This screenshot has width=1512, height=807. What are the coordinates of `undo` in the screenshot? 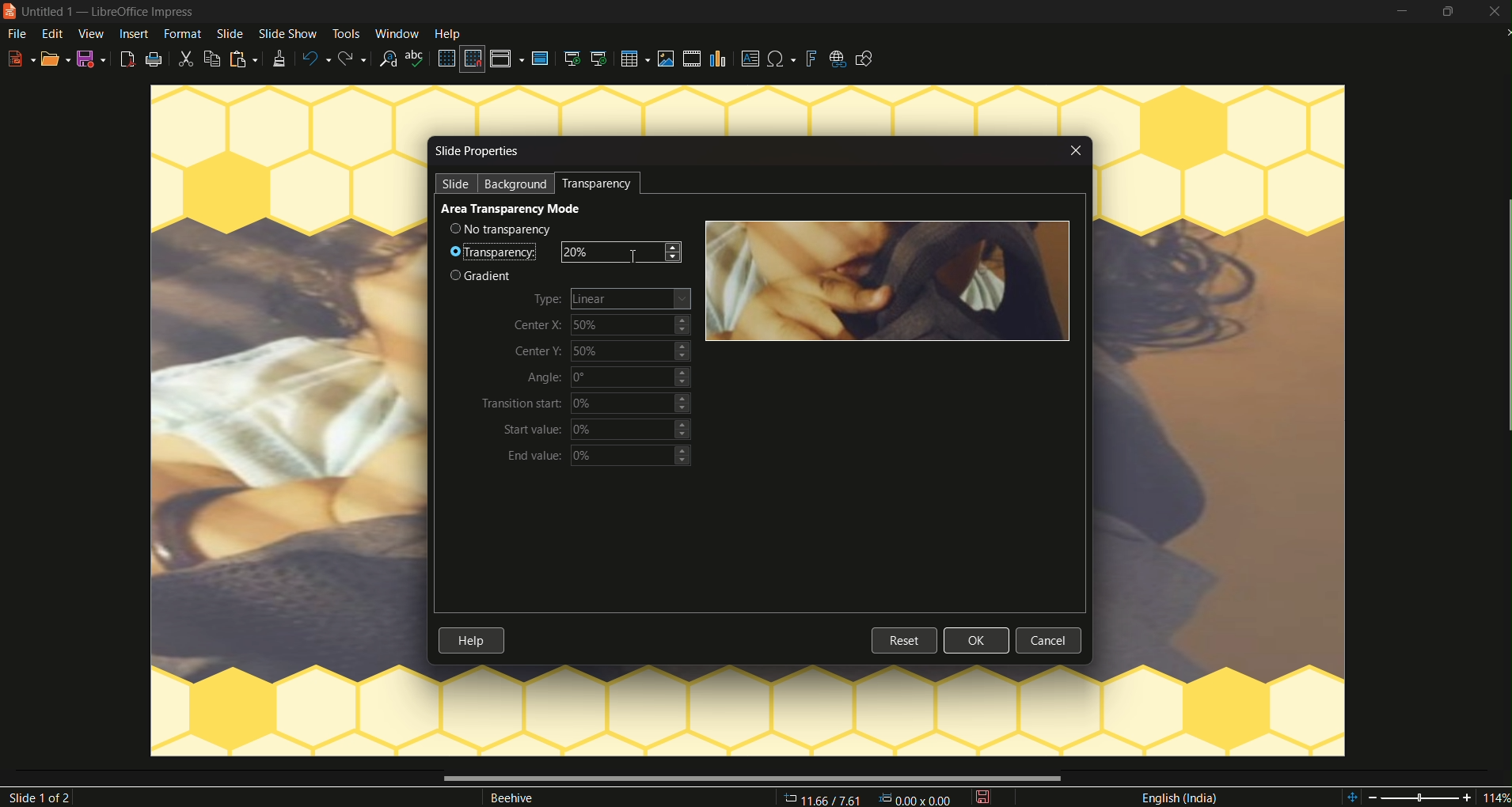 It's located at (314, 56).